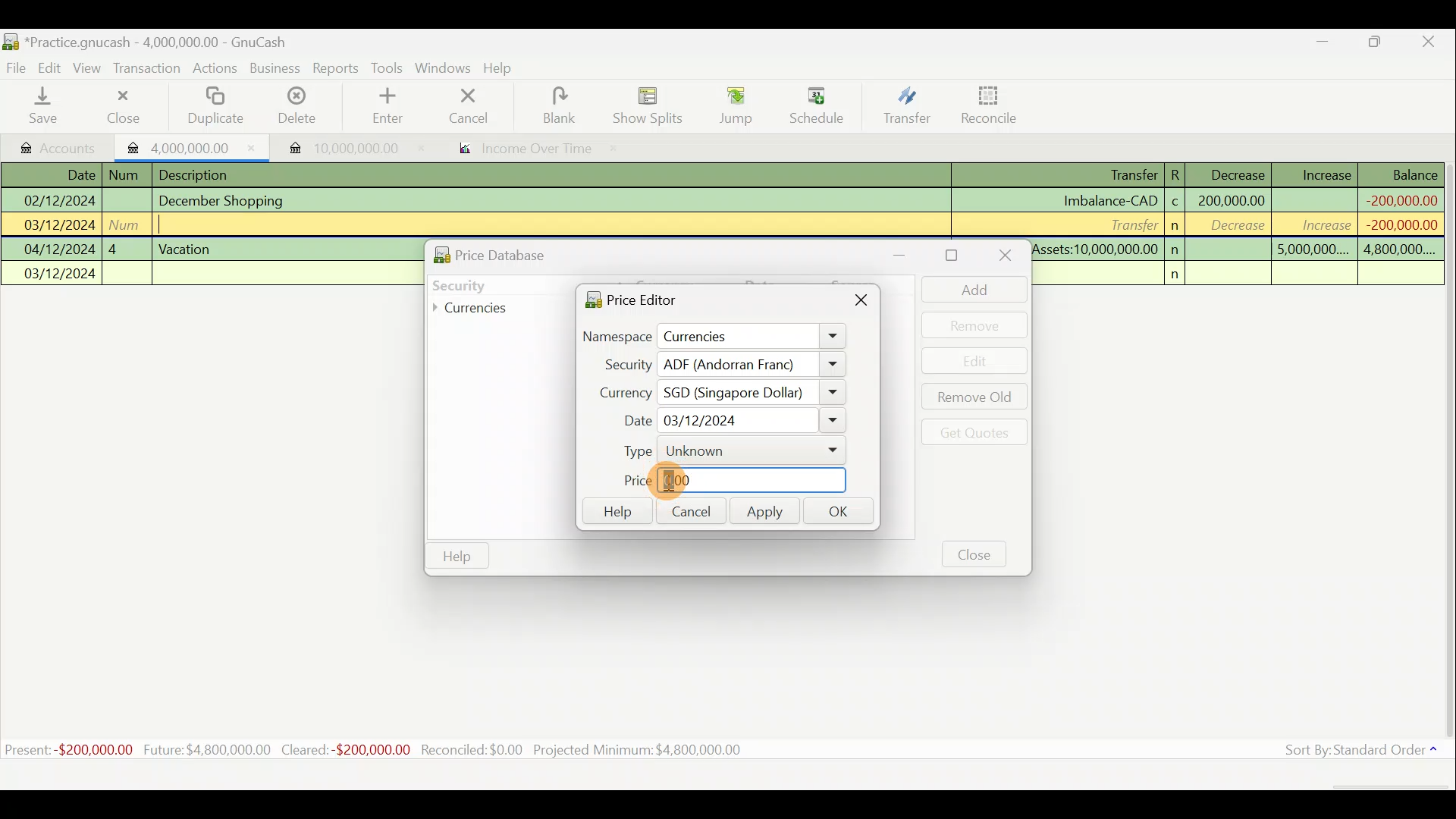  Describe the element at coordinates (570, 105) in the screenshot. I see `blank` at that location.